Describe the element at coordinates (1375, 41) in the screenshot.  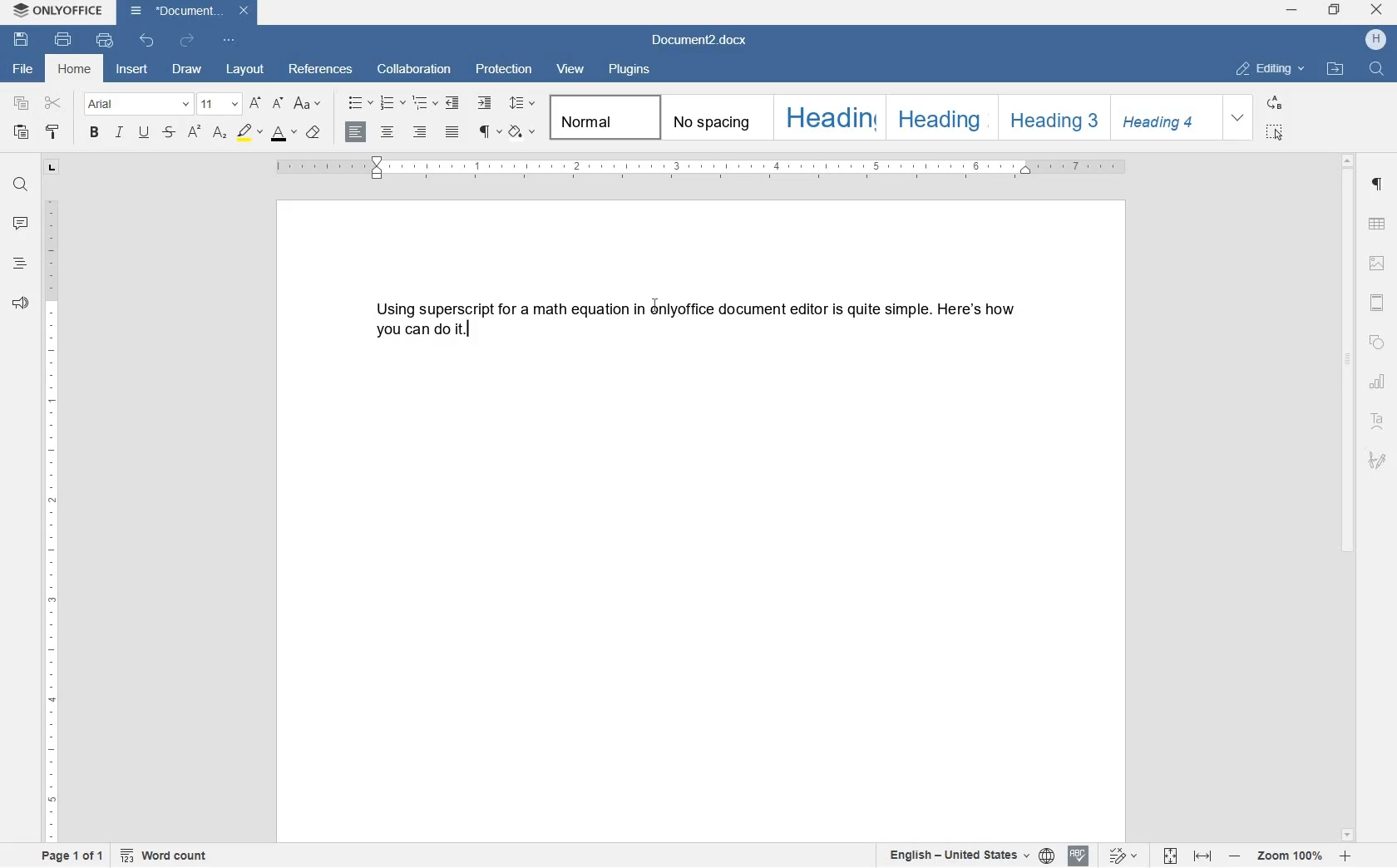
I see `HP` at that location.